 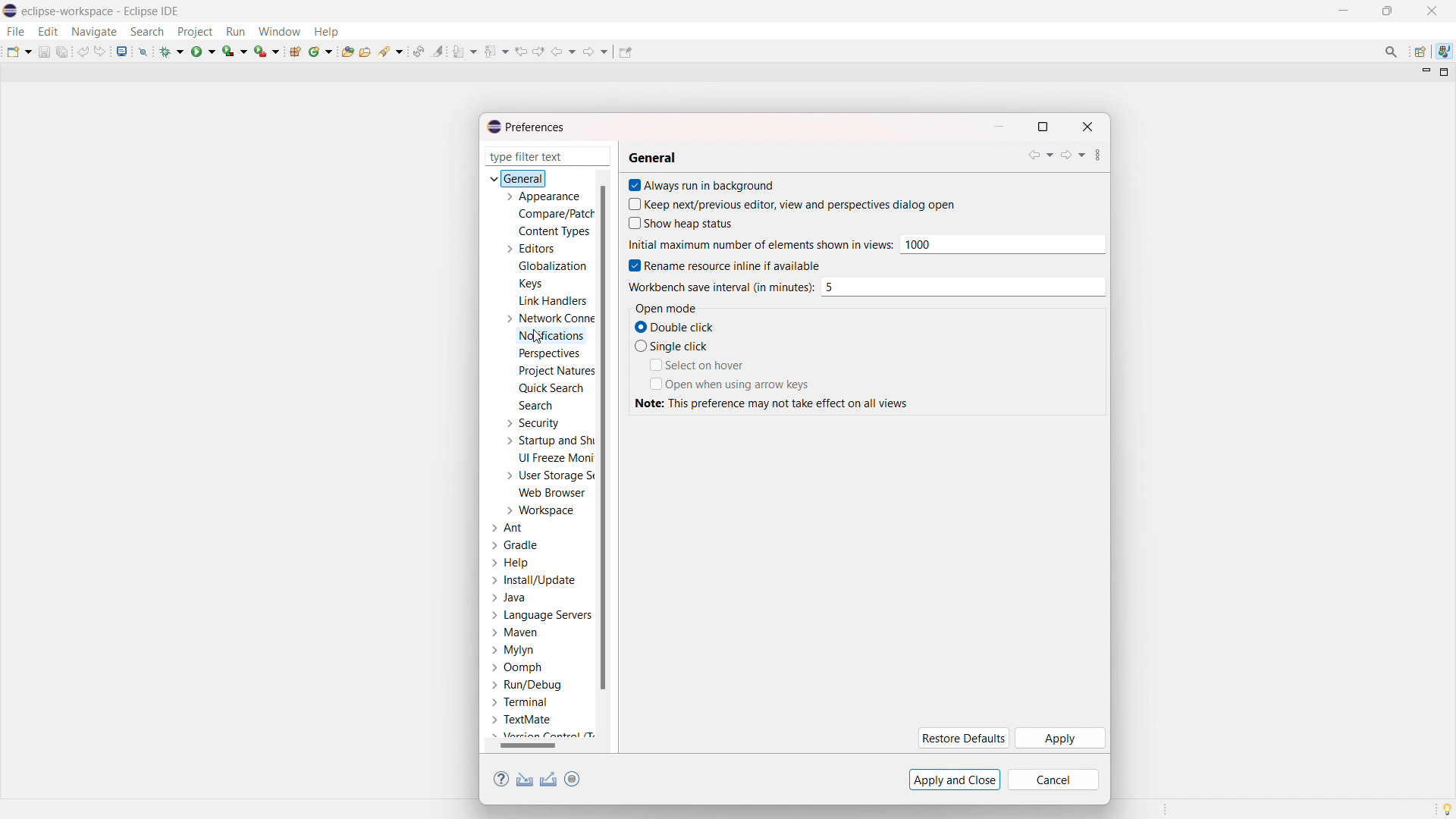 I want to click on open mode, so click(x=666, y=308).